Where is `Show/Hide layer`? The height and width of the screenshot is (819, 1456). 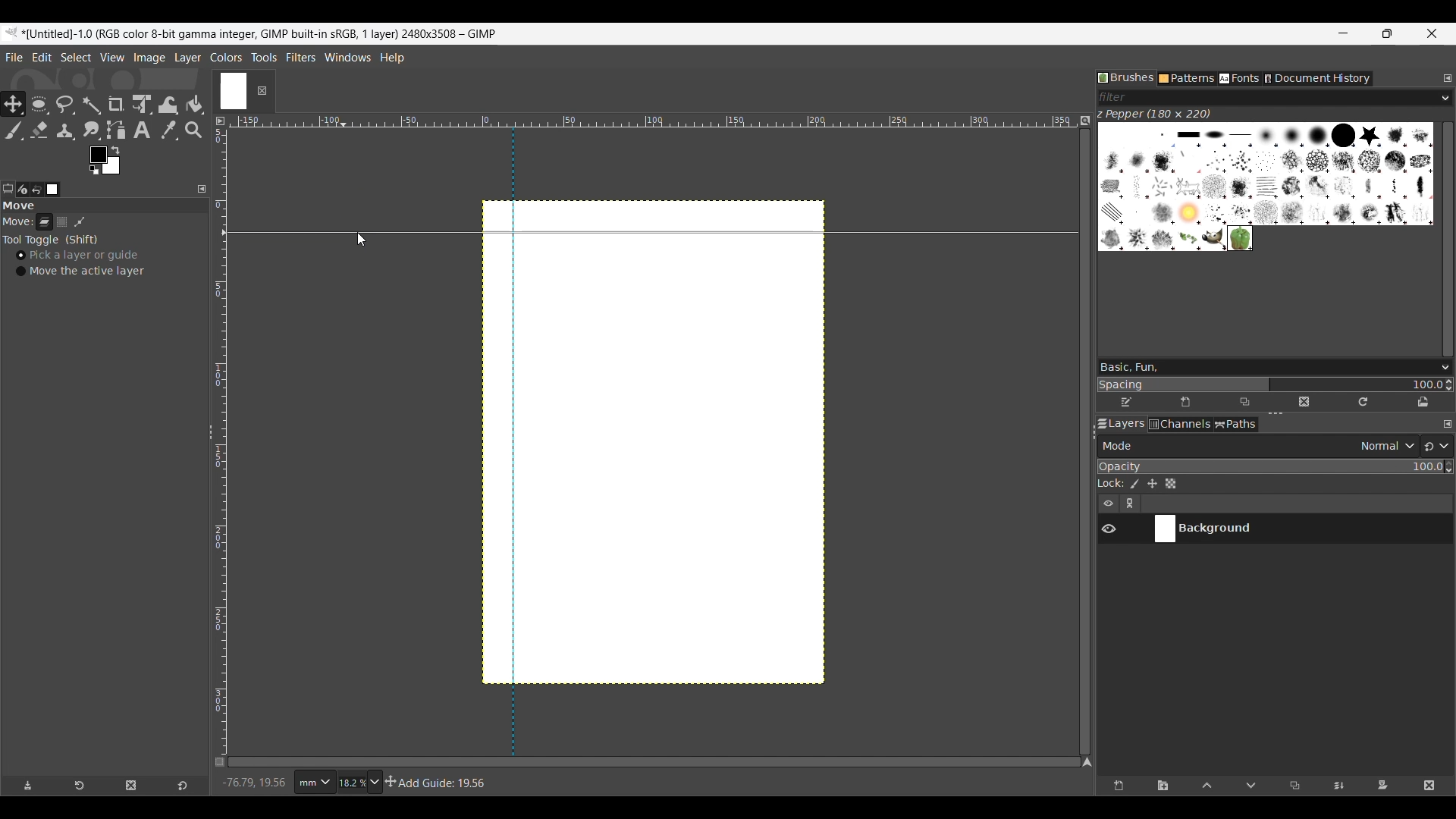 Show/Hide layer is located at coordinates (1109, 529).